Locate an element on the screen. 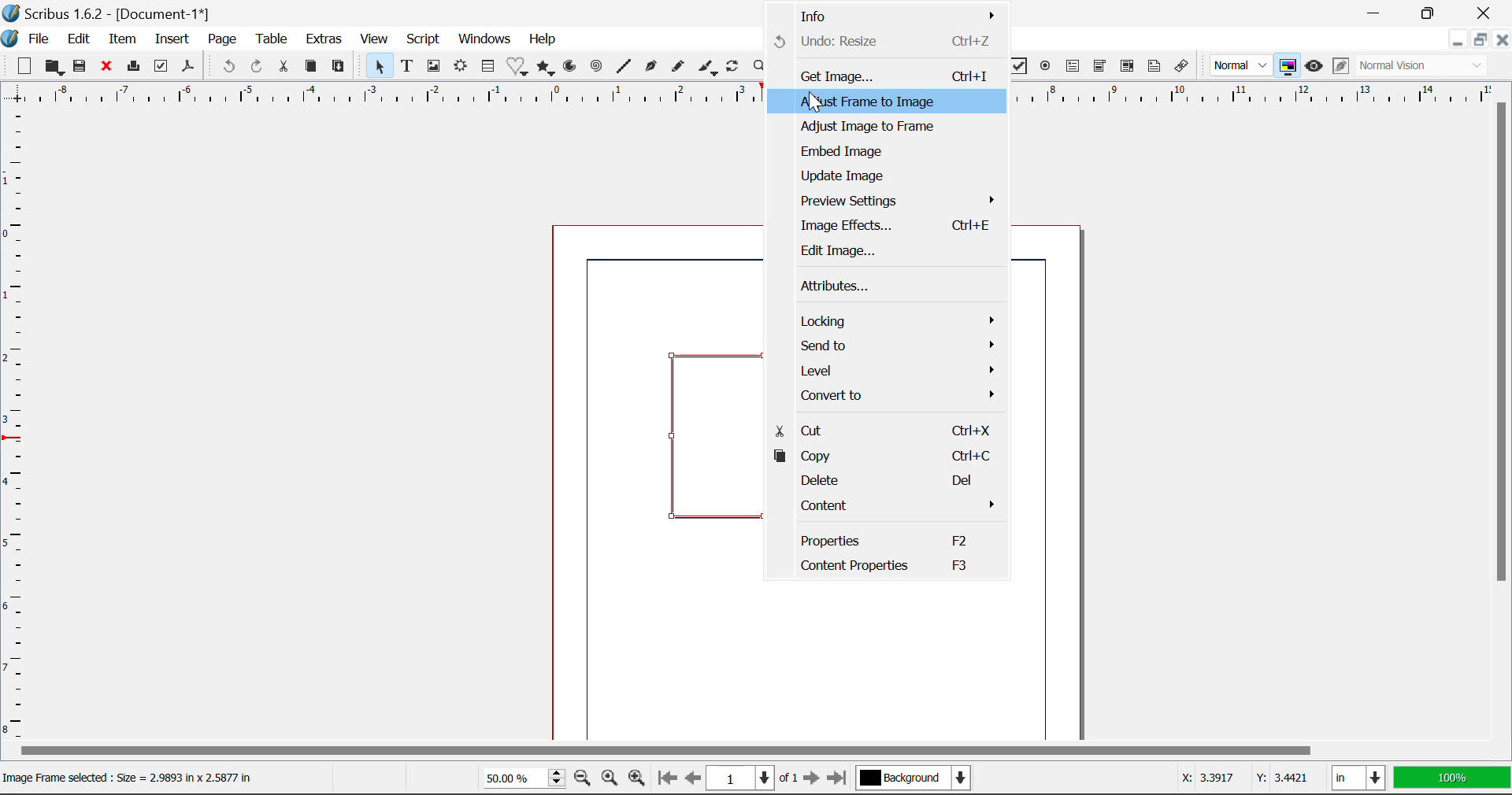 This screenshot has width=1512, height=795. Table is located at coordinates (272, 42).